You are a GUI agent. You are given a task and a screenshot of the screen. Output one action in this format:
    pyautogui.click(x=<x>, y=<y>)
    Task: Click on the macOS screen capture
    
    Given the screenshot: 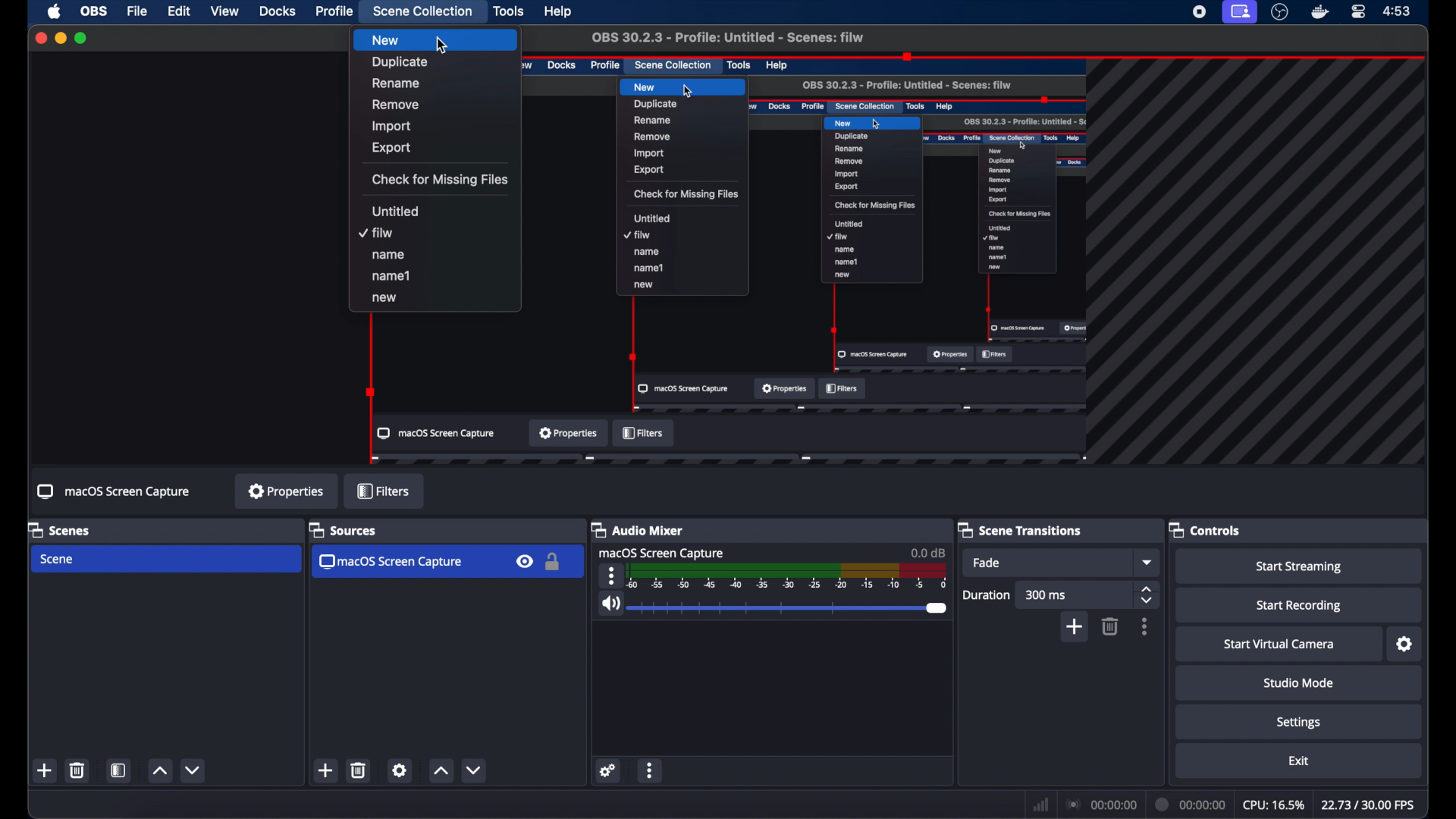 What is the action you would take?
    pyautogui.click(x=663, y=553)
    